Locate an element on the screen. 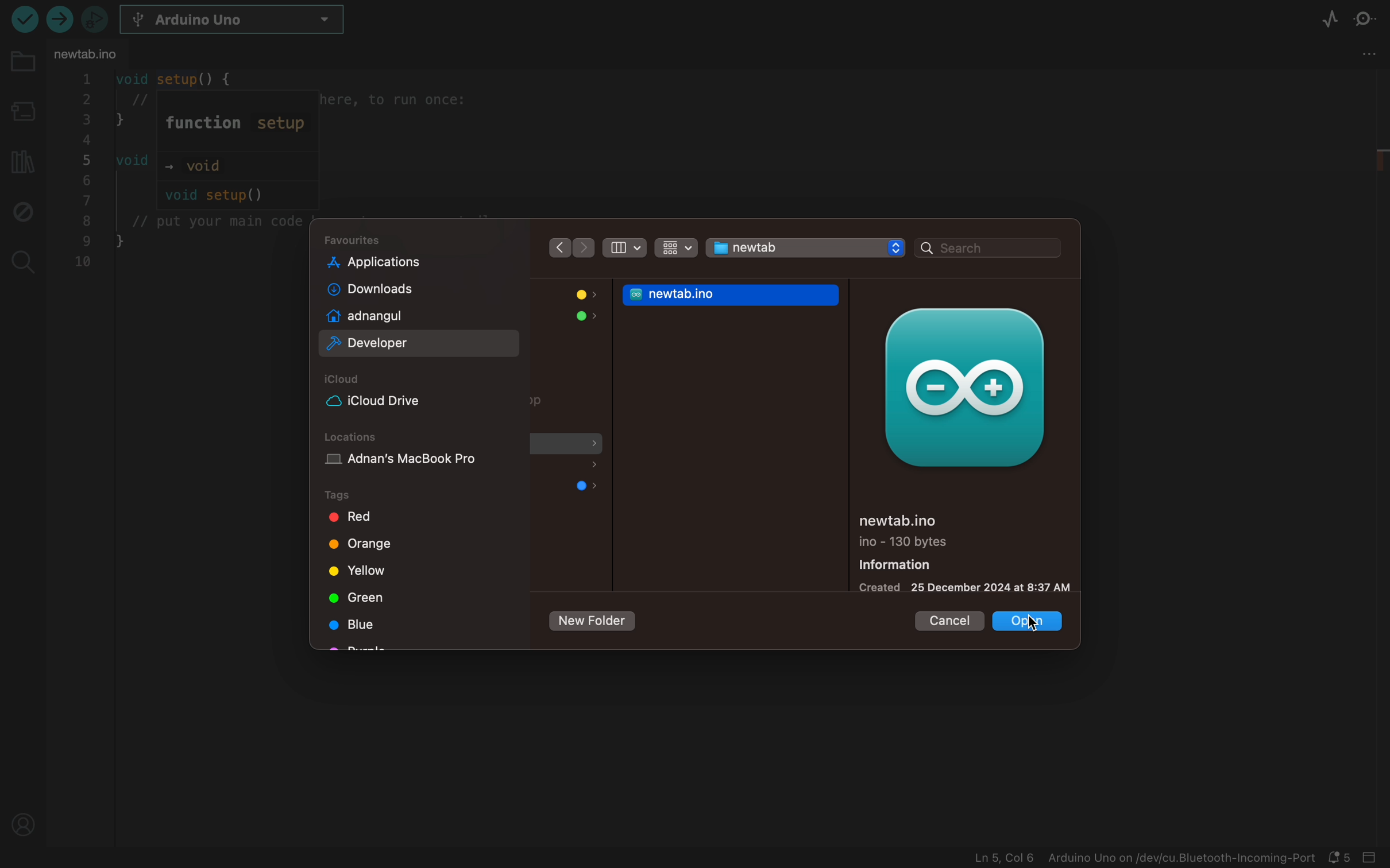  verify is located at coordinates (62, 22).